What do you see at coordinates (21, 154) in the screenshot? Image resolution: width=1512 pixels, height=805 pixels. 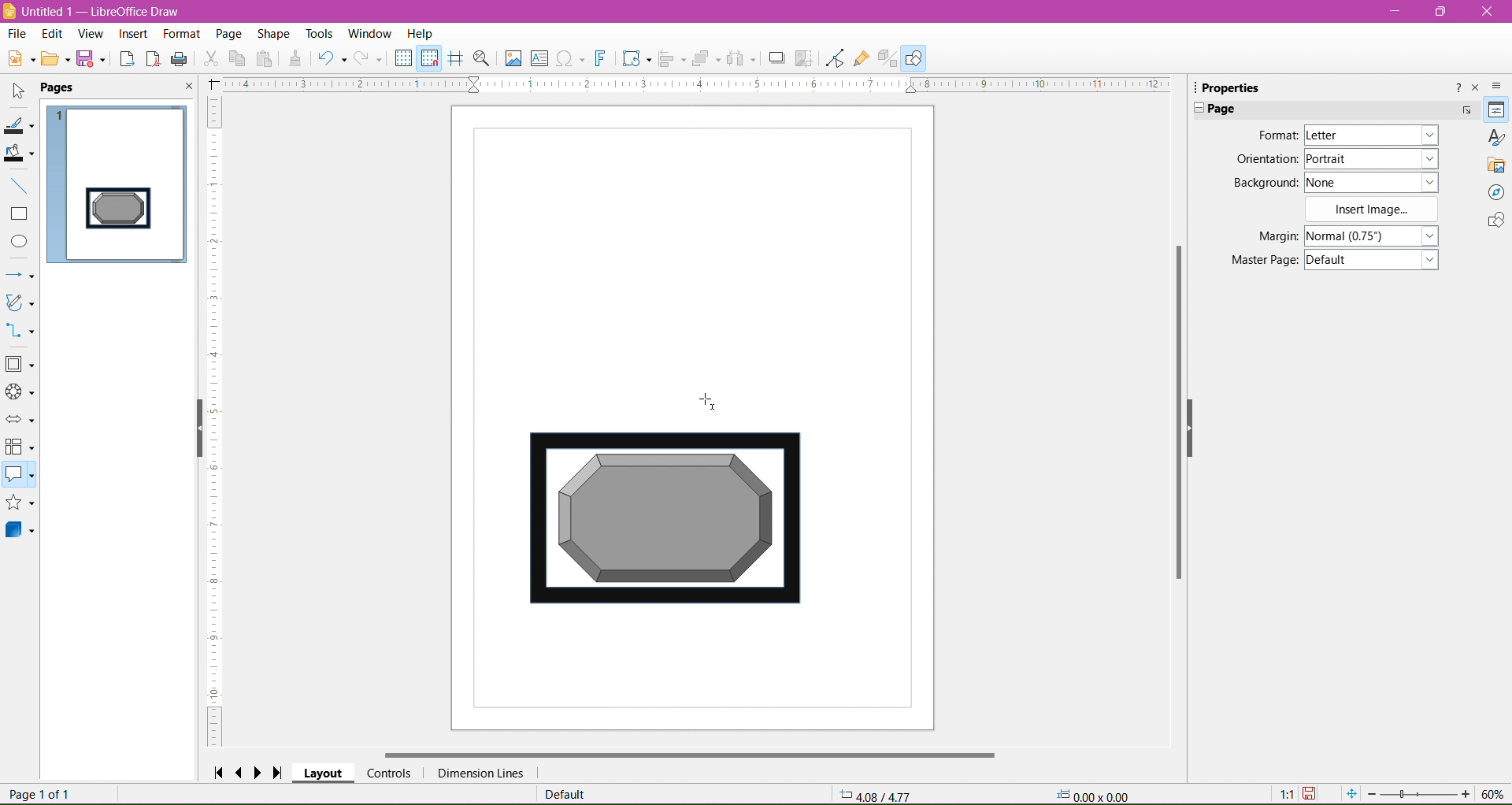 I see `Fill Color` at bounding box center [21, 154].